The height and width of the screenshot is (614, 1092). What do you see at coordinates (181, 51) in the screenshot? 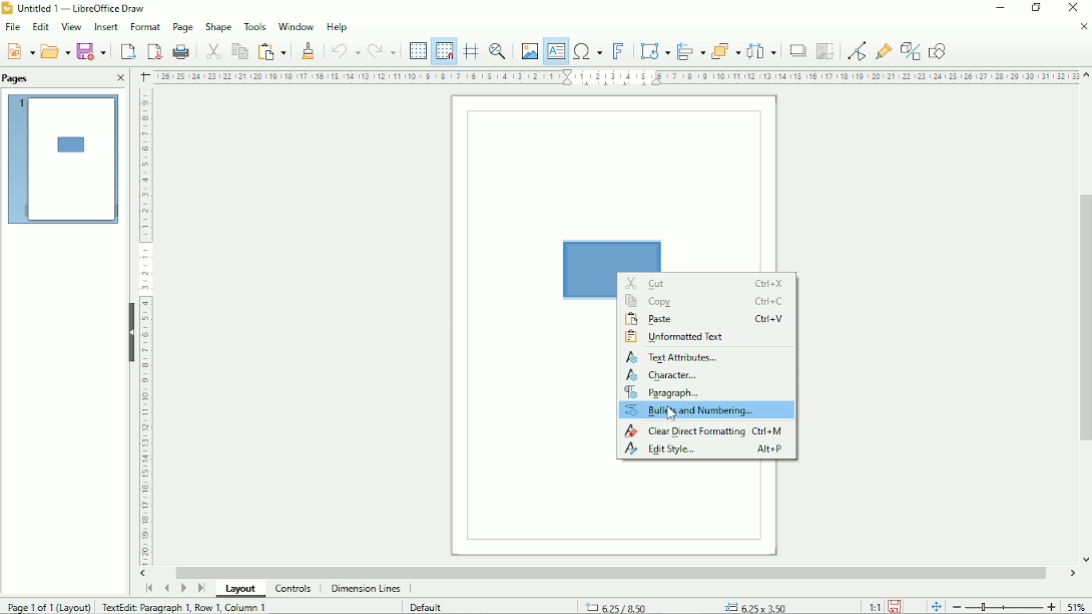
I see `Print` at bounding box center [181, 51].